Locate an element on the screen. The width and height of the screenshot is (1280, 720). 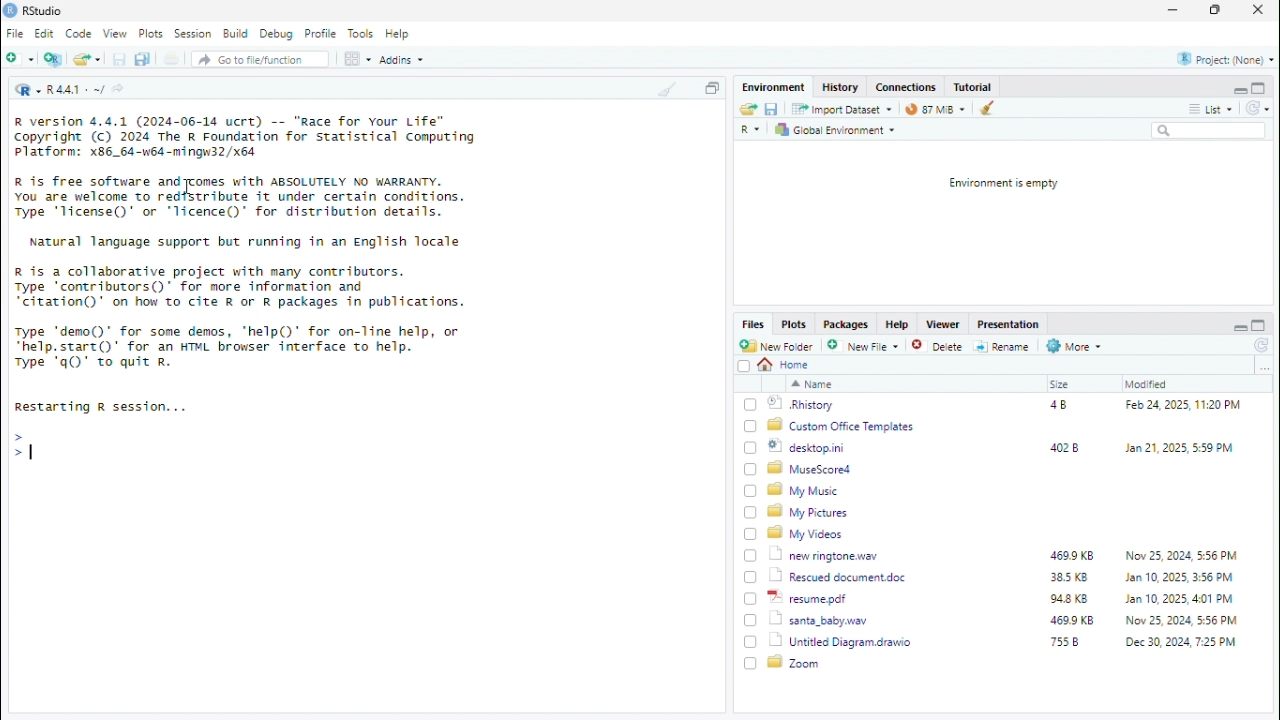
Checkbox is located at coordinates (751, 534).